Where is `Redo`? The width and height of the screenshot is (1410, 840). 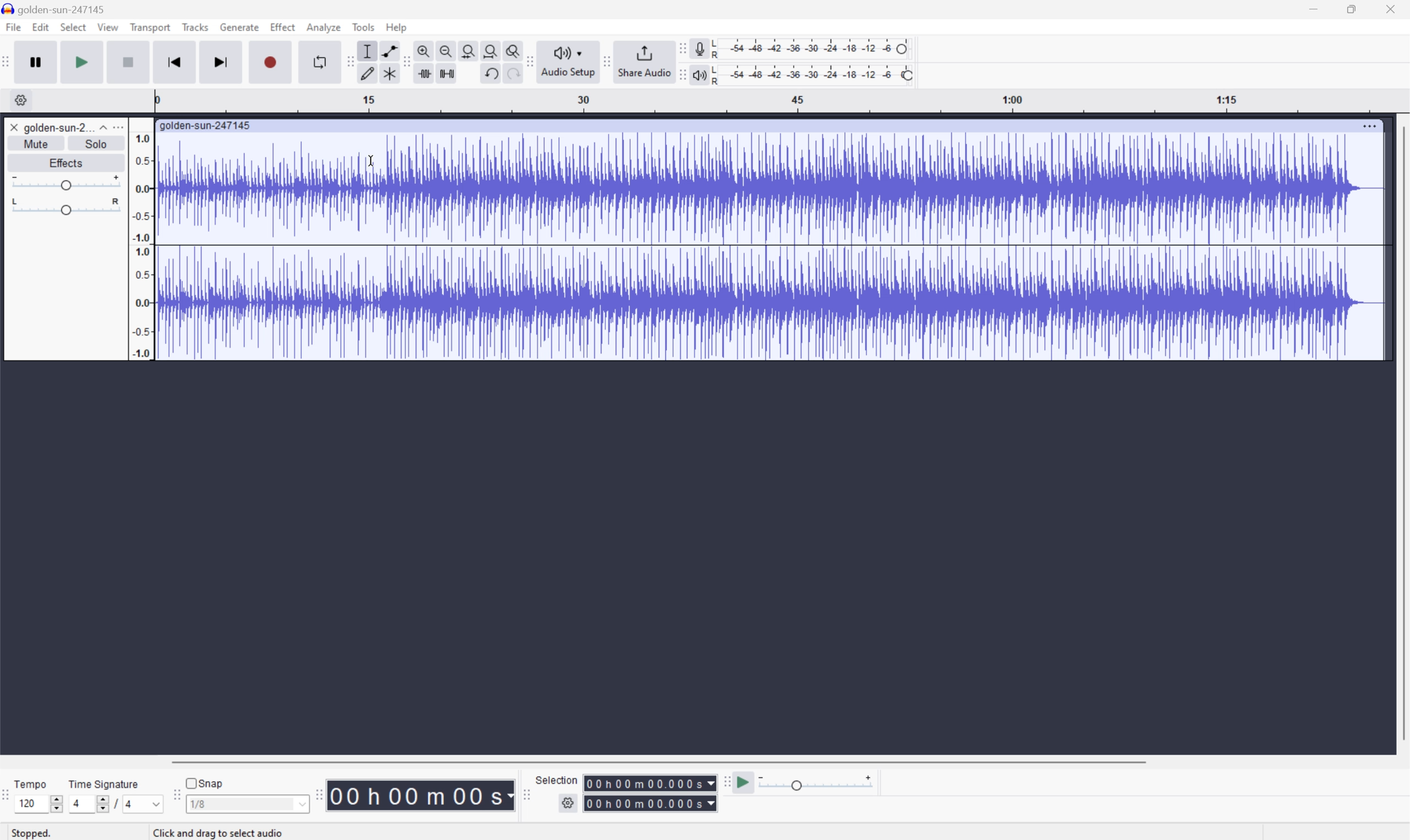
Redo is located at coordinates (511, 78).